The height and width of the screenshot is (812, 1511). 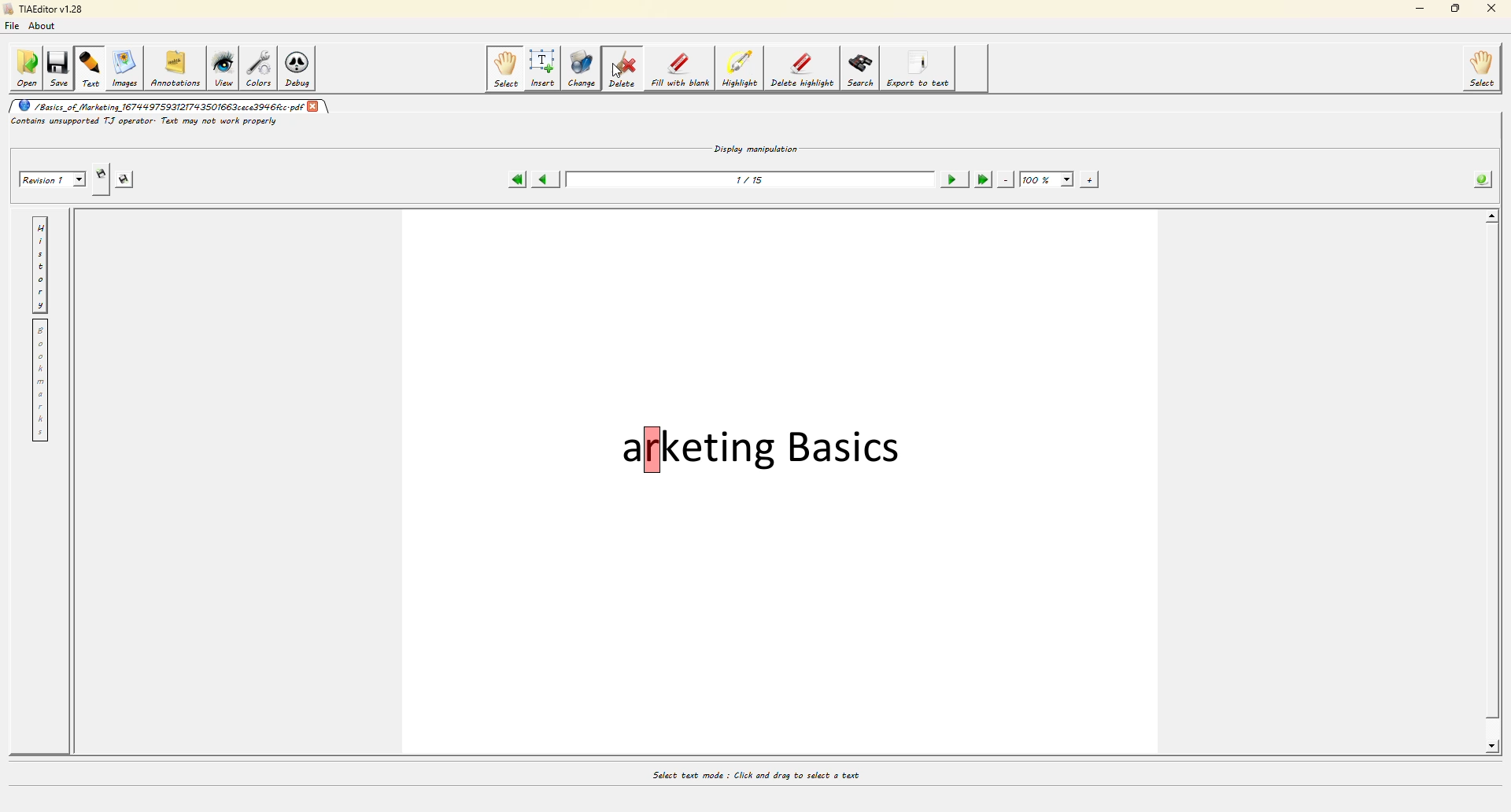 I want to click on open, so click(x=25, y=68).